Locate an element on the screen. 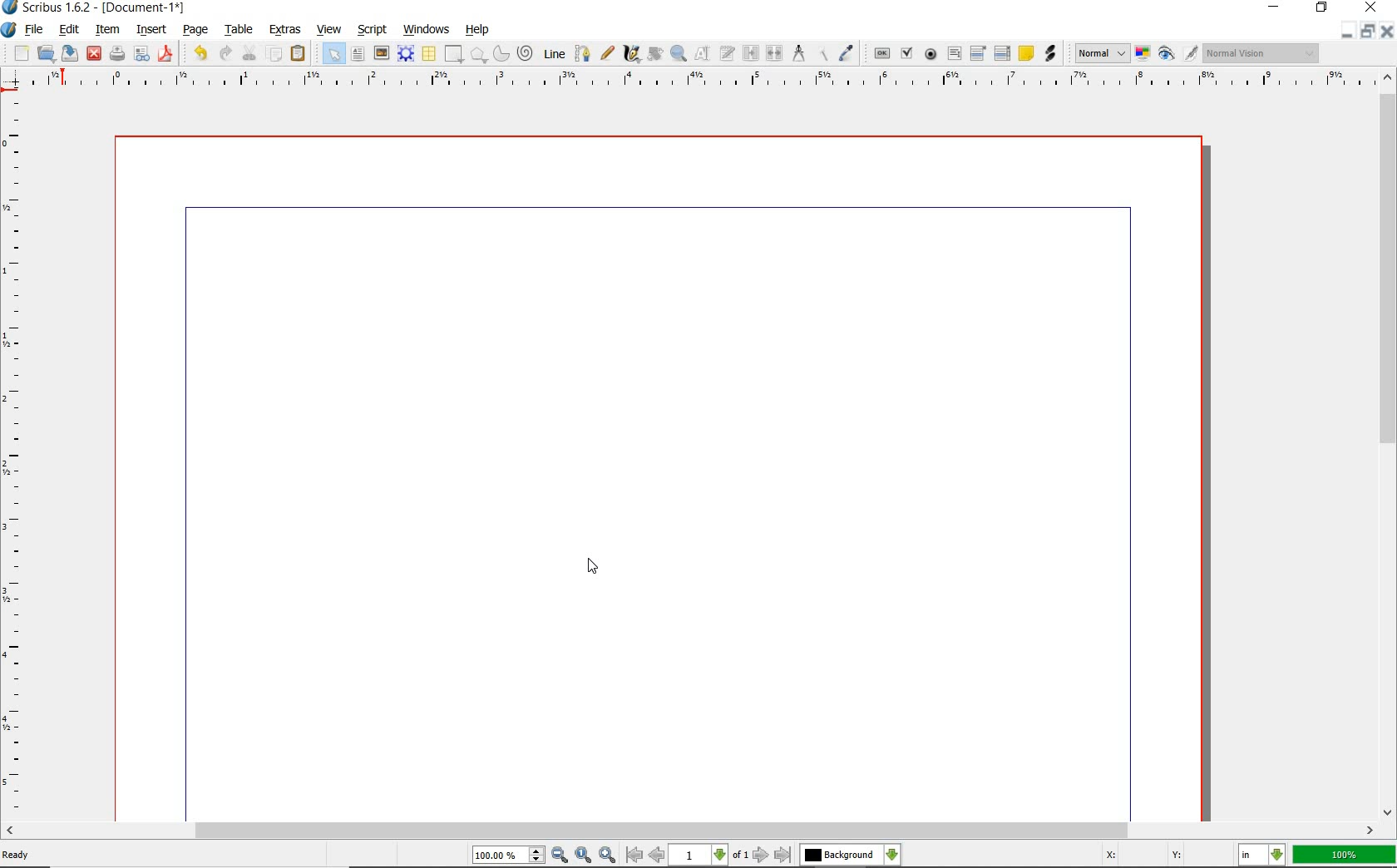 The width and height of the screenshot is (1397, 868). close is located at coordinates (94, 53).